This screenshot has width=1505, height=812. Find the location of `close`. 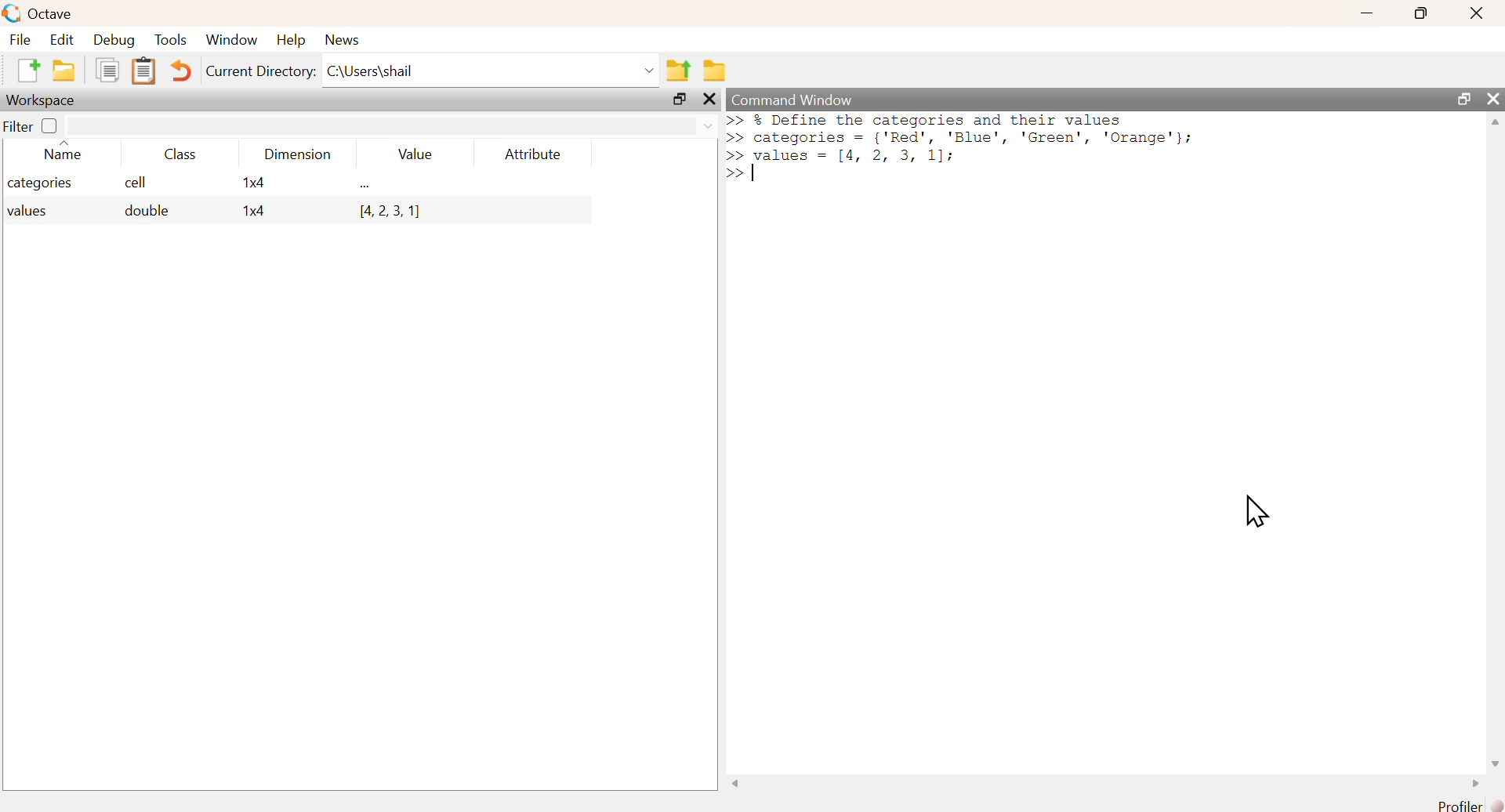

close is located at coordinates (1492, 97).